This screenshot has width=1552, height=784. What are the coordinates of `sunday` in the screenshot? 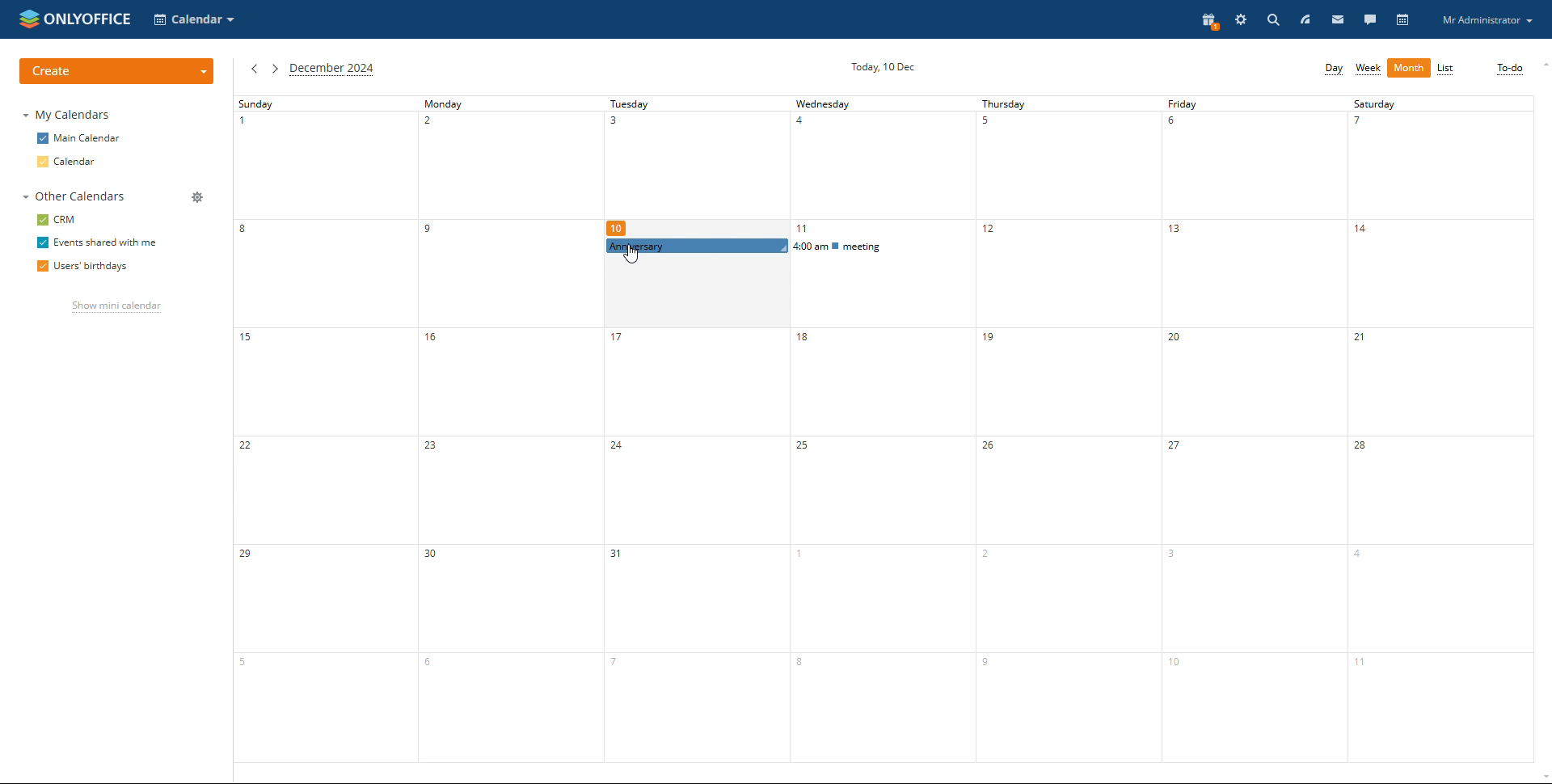 It's located at (322, 428).